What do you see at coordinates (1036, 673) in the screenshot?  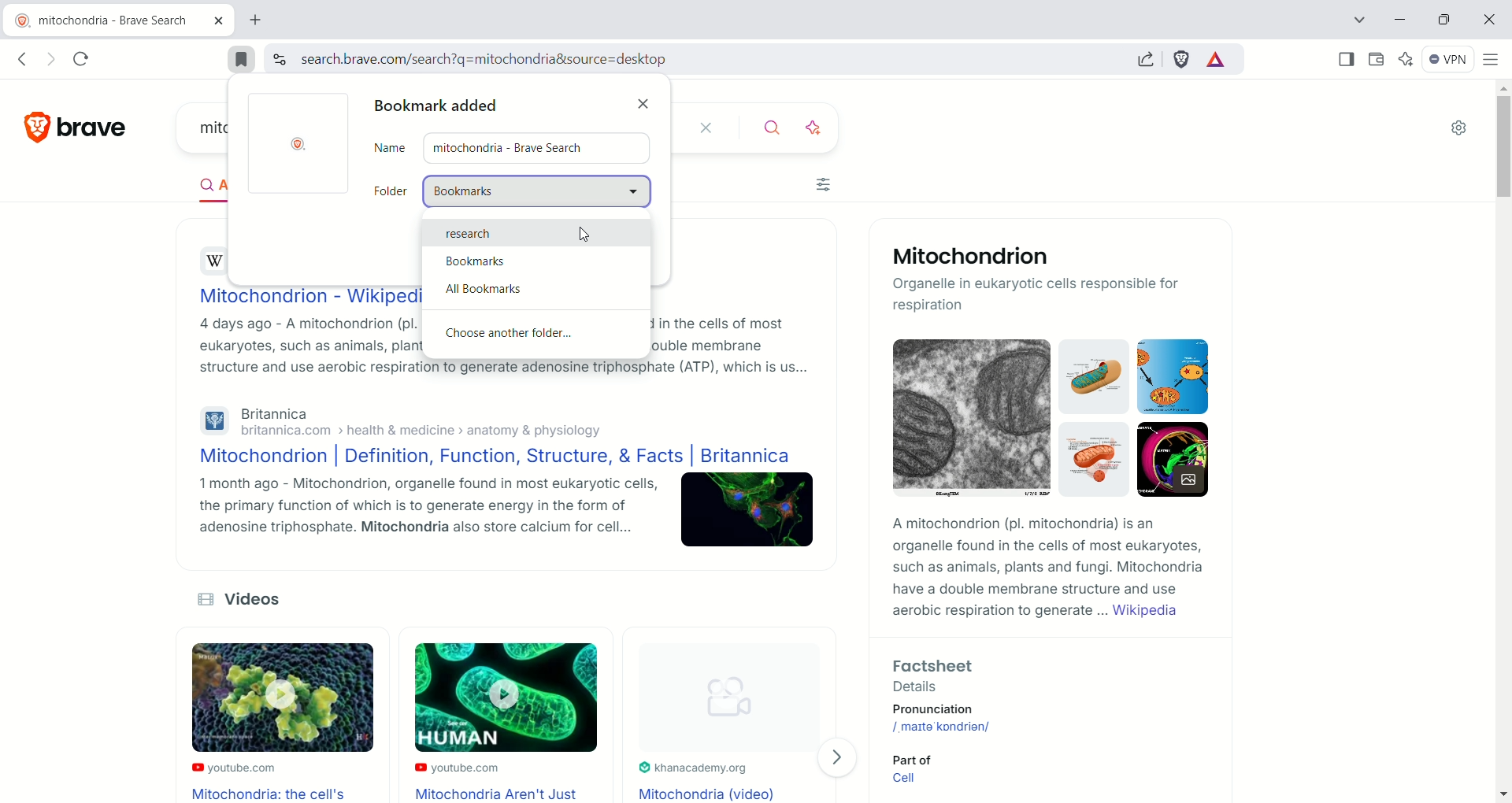 I see `Factsheet - Details` at bounding box center [1036, 673].